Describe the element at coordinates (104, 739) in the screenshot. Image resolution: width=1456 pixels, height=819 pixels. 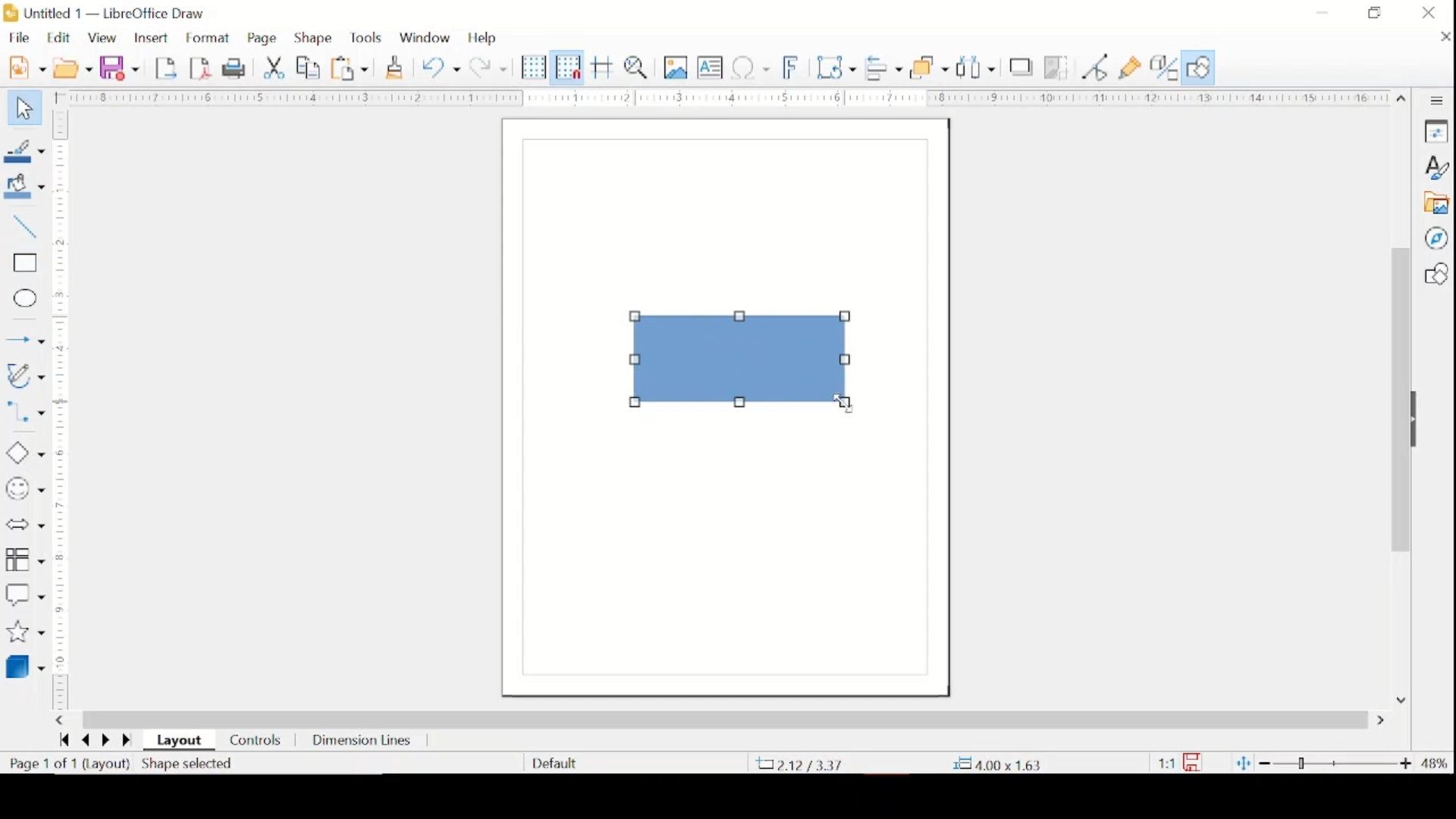
I see `next` at that location.